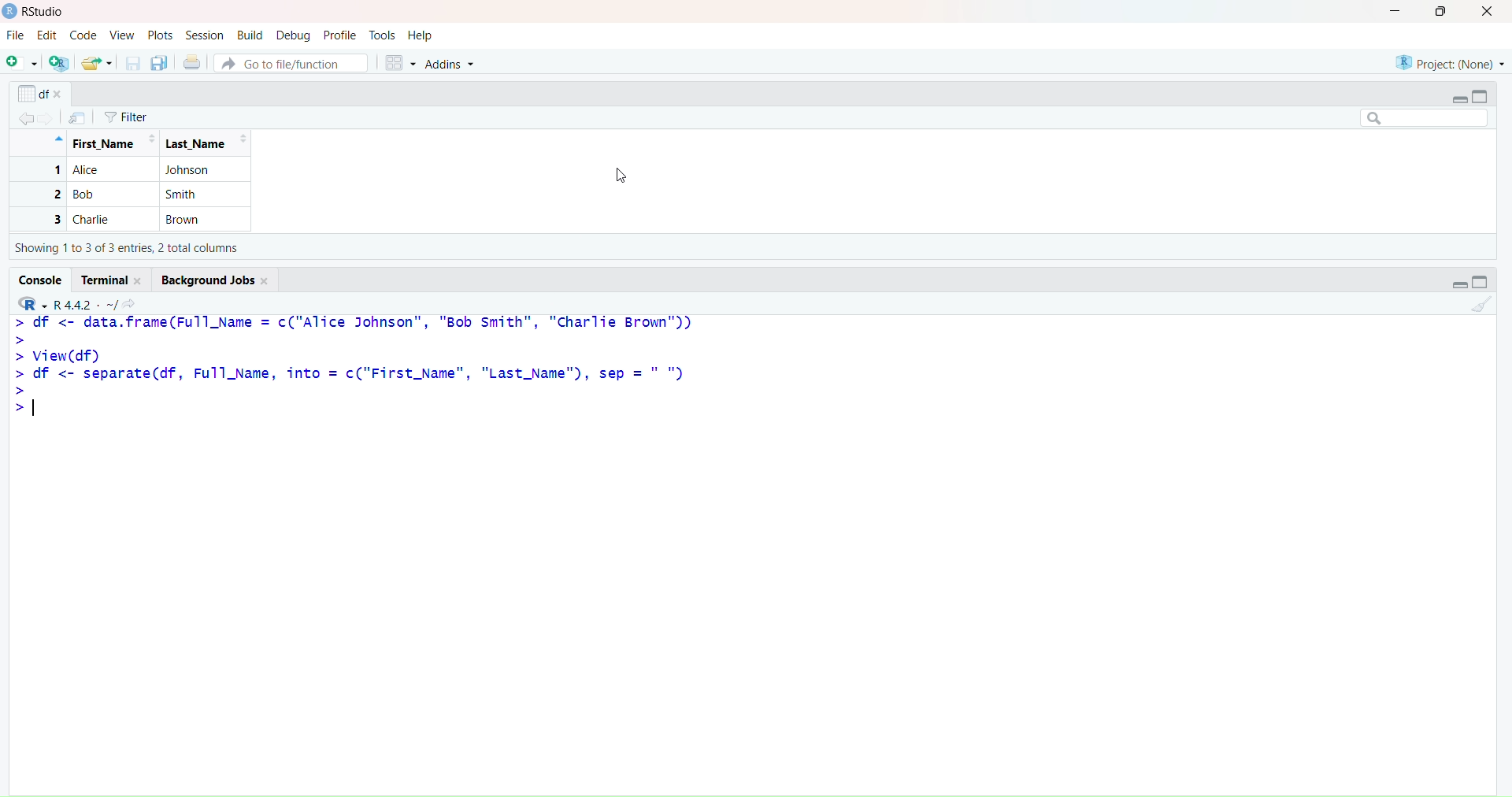 The height and width of the screenshot is (797, 1512). Describe the element at coordinates (57, 138) in the screenshot. I see `Hide` at that location.